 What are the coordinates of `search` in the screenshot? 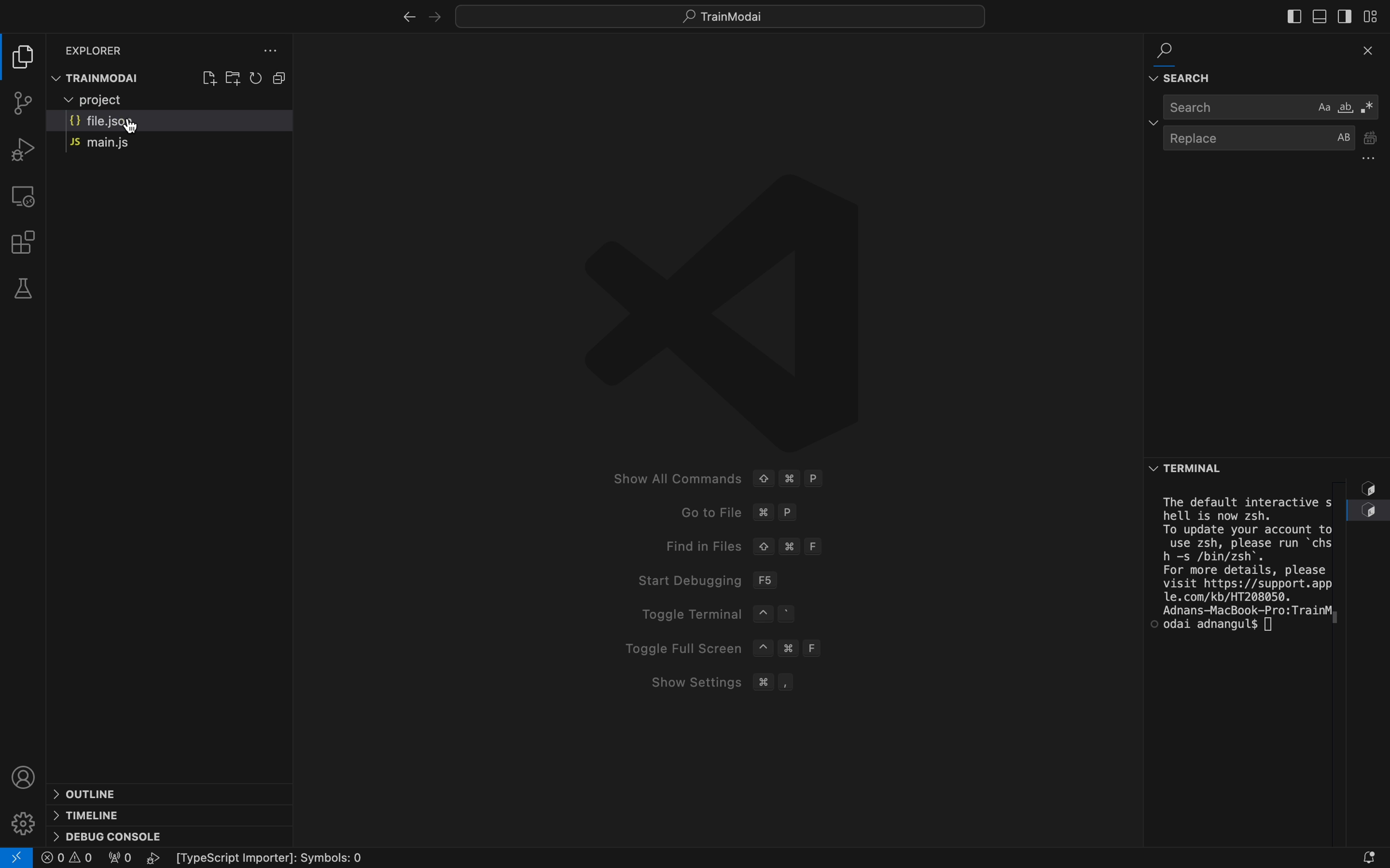 It's located at (1272, 107).